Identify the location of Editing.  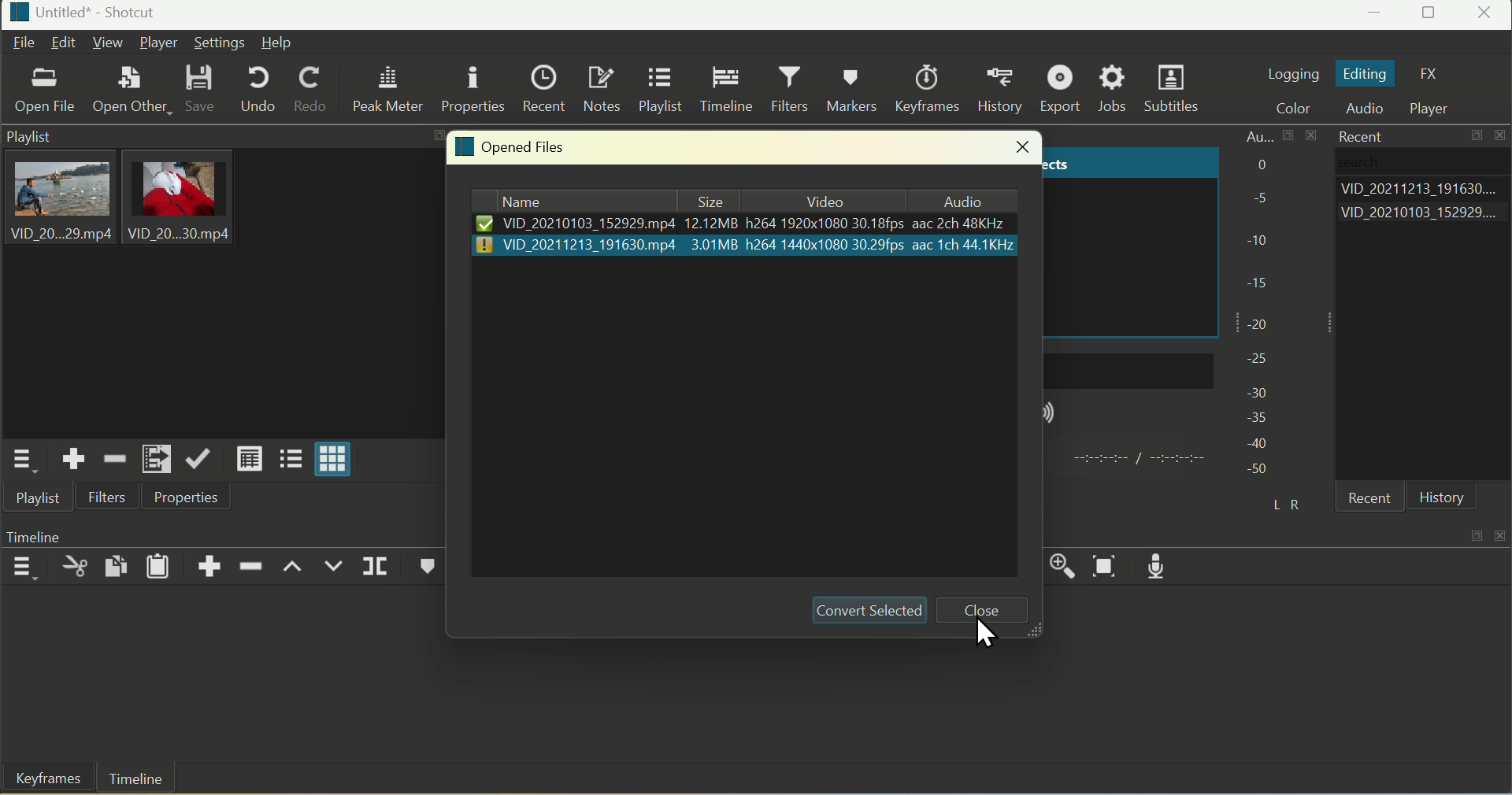
(1366, 74).